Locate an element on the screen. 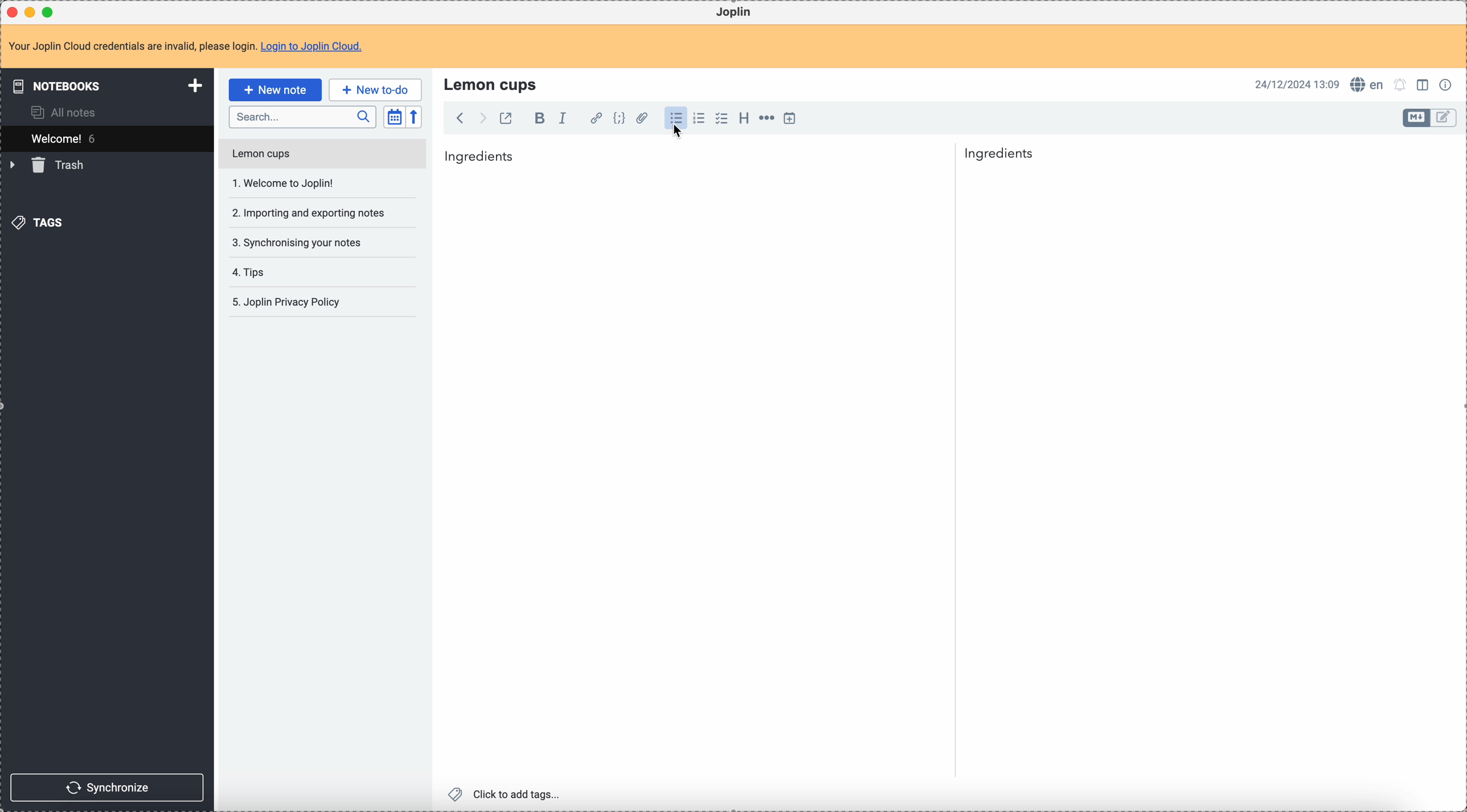 This screenshot has width=1467, height=812. maximize is located at coordinates (51, 11).